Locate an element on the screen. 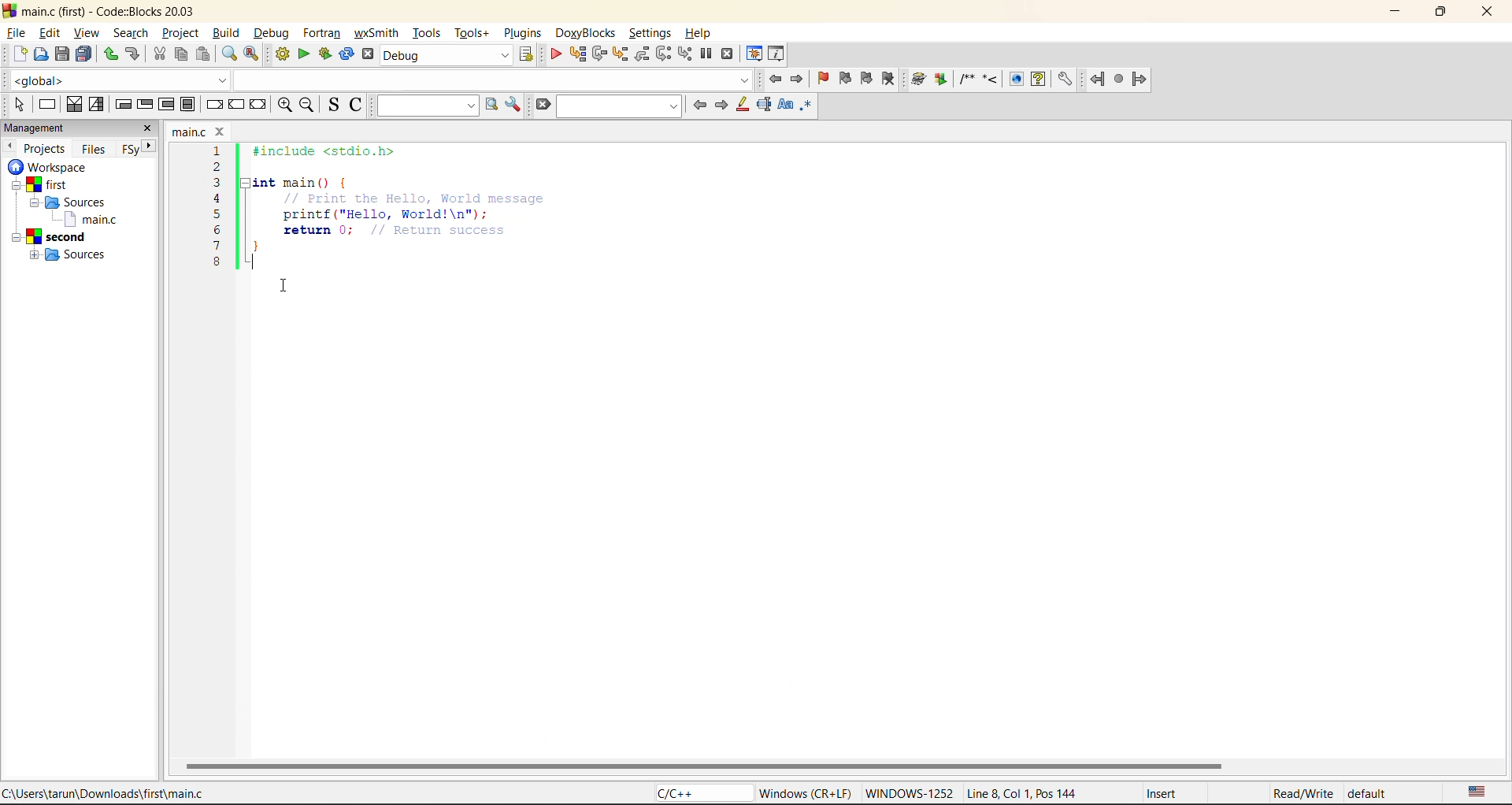 Image resolution: width=1512 pixels, height=805 pixels. selection is located at coordinates (94, 104).